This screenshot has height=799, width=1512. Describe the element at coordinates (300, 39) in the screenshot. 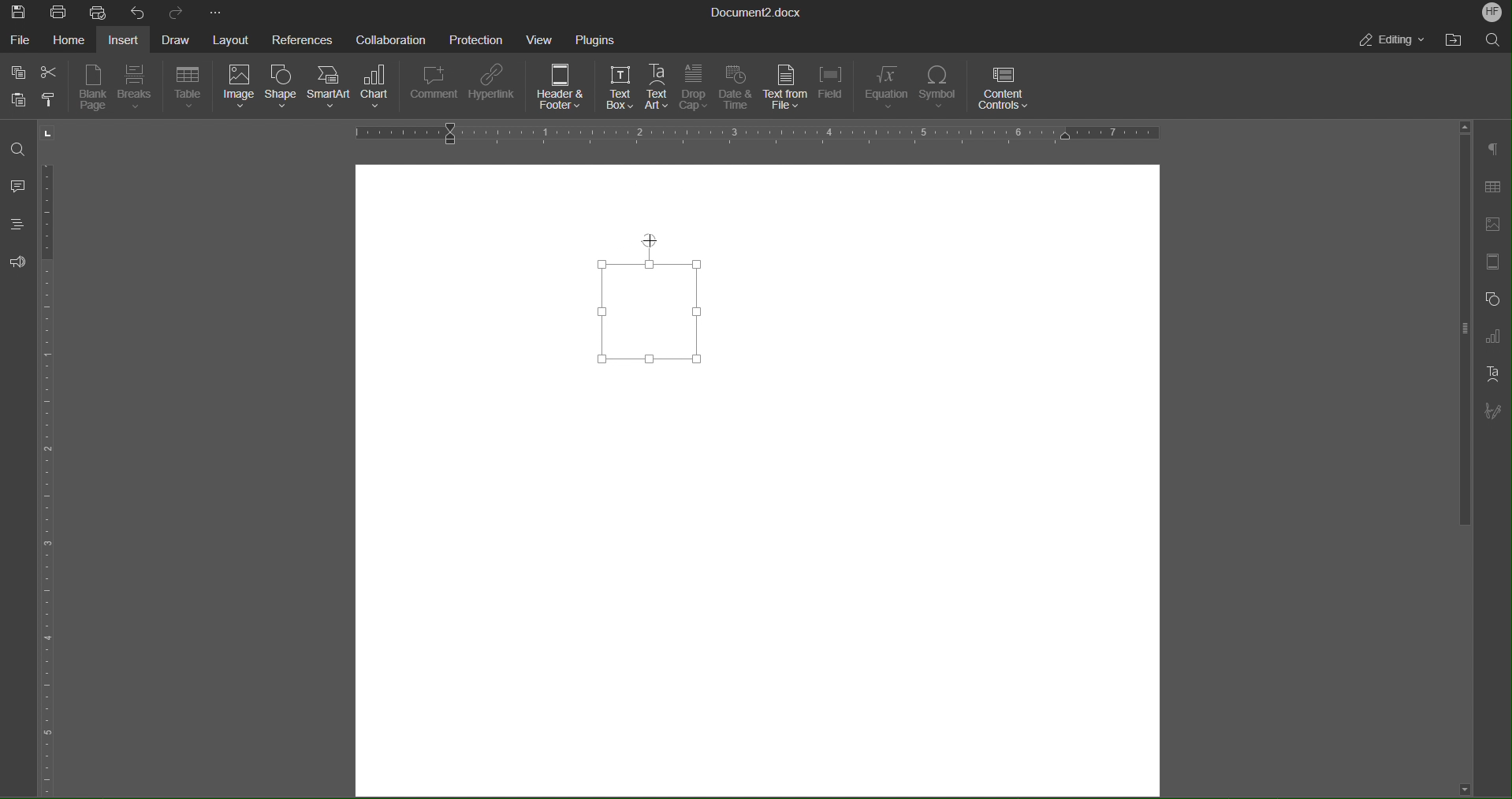

I see `References` at that location.